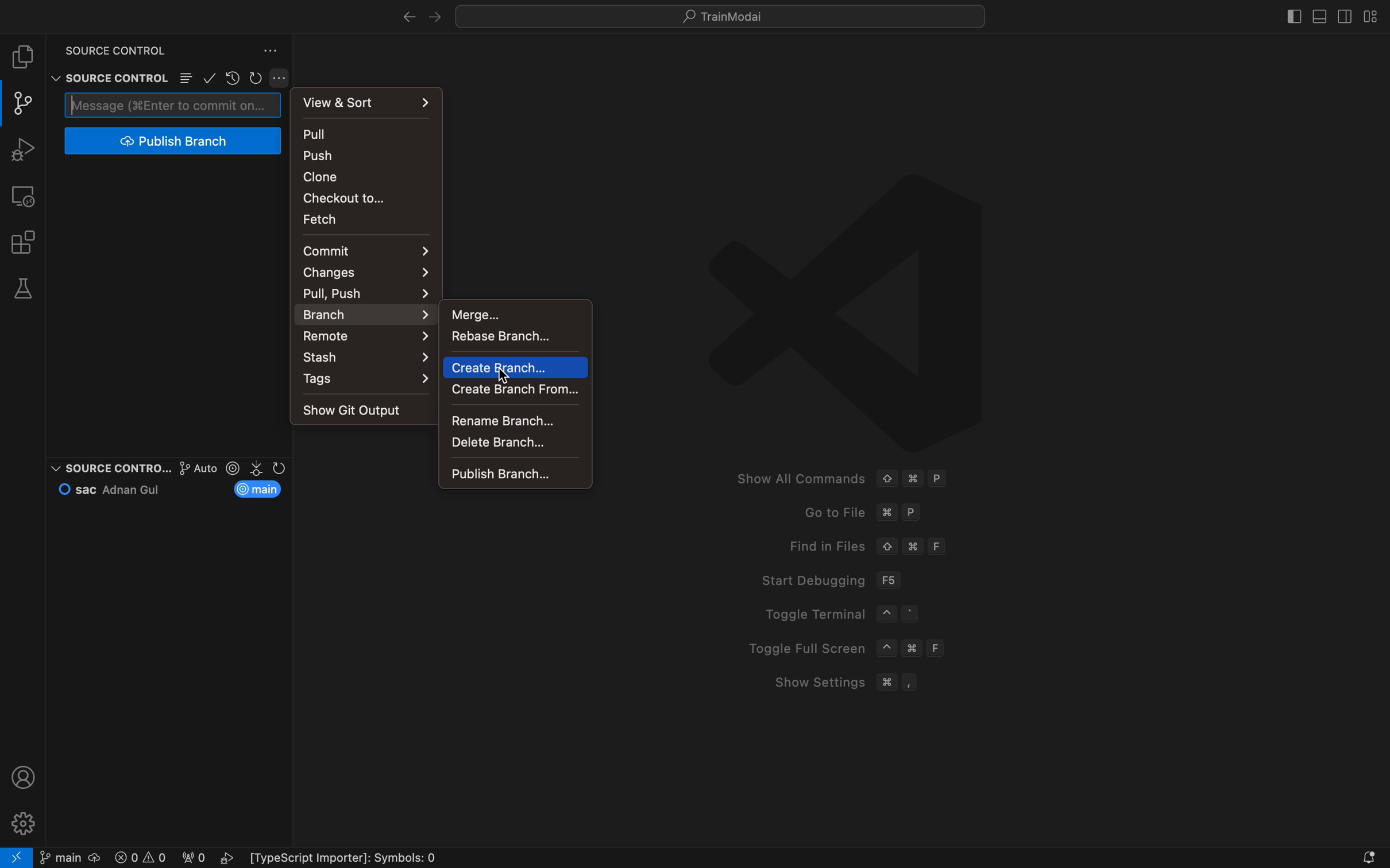  What do you see at coordinates (357, 219) in the screenshot?
I see `fetch ` at bounding box center [357, 219].